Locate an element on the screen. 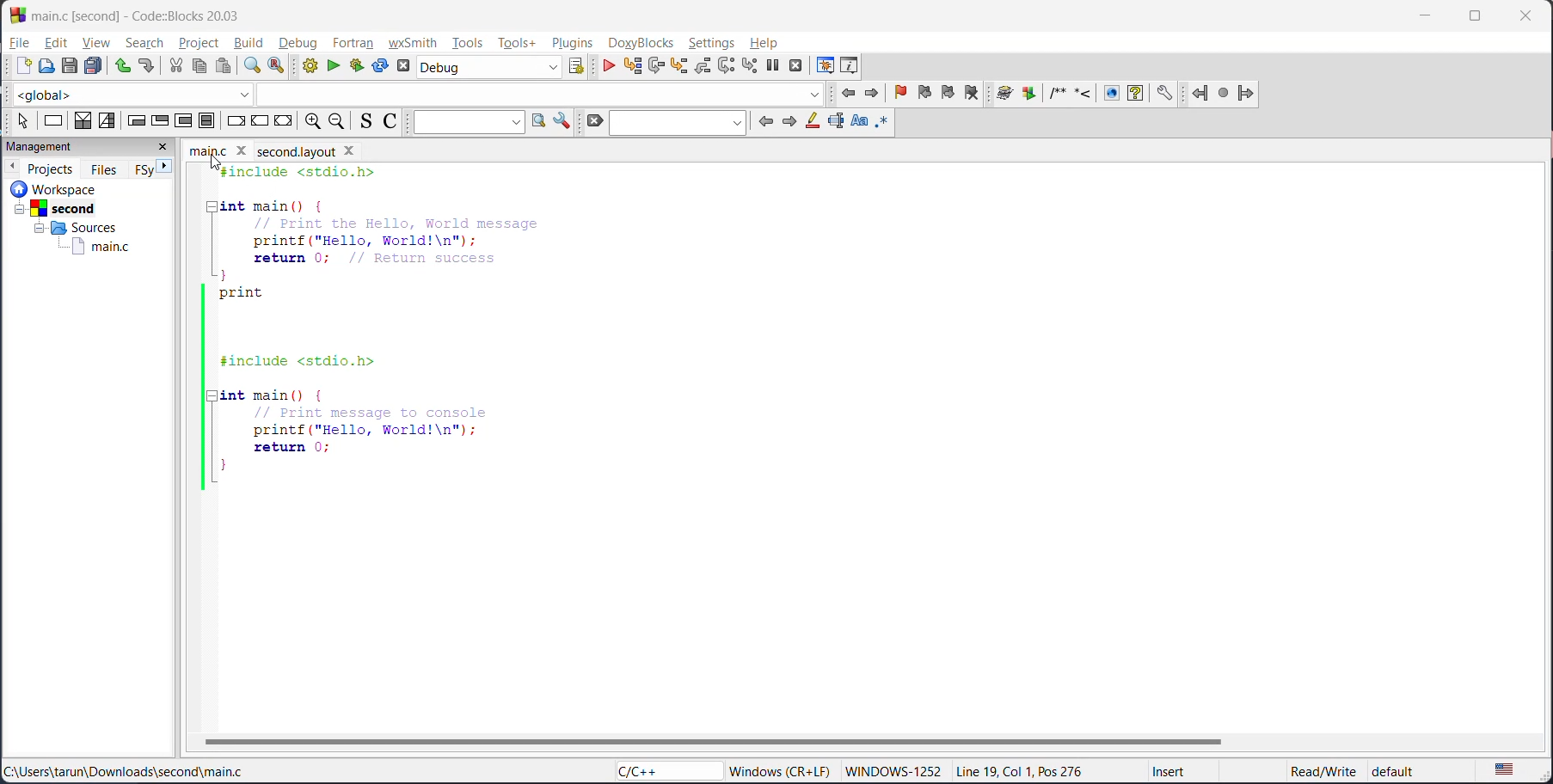 The height and width of the screenshot is (784, 1553). exit condition loop is located at coordinates (159, 122).